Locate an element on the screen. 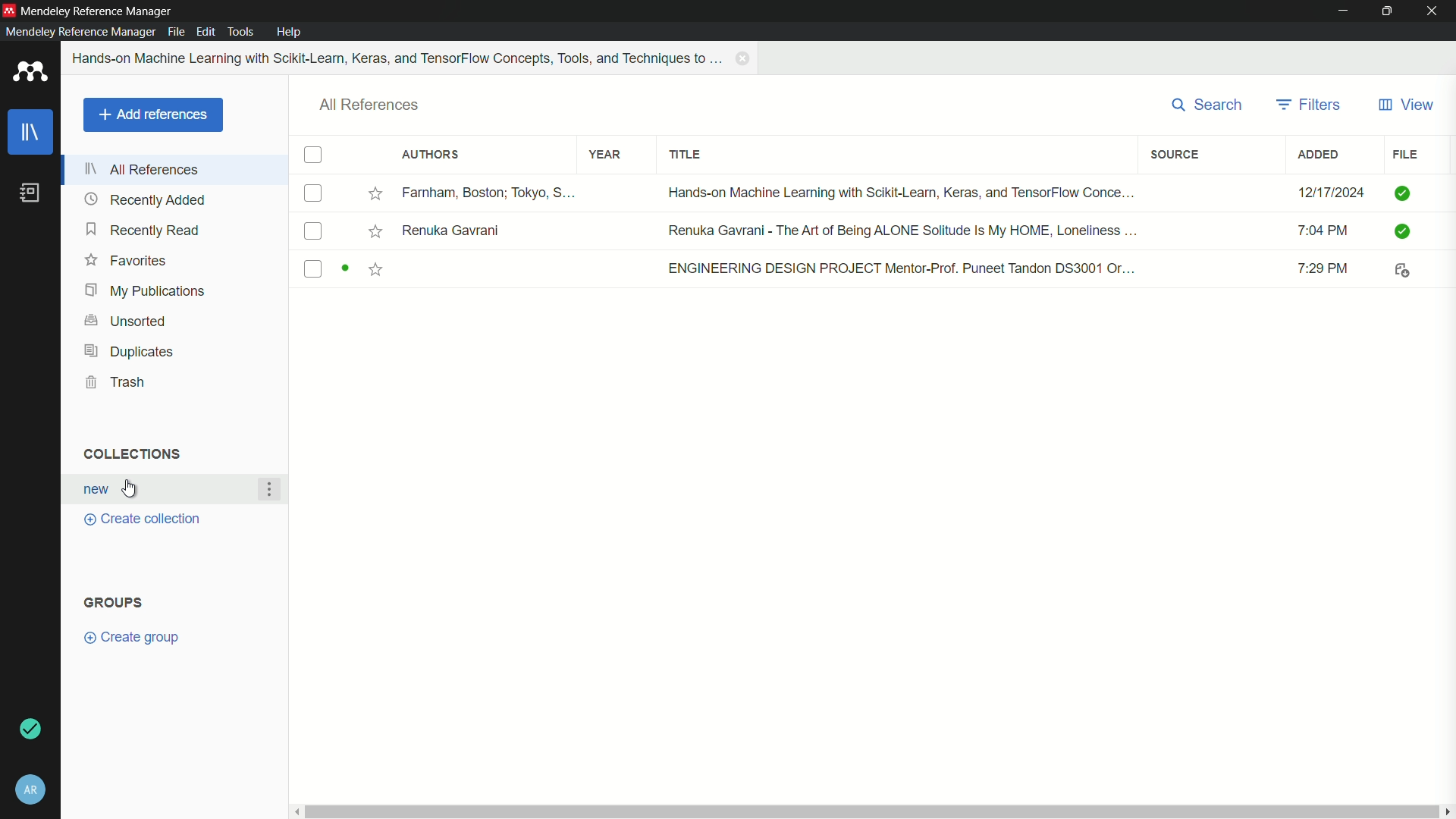 The width and height of the screenshot is (1456, 819). book is located at coordinates (30, 193).